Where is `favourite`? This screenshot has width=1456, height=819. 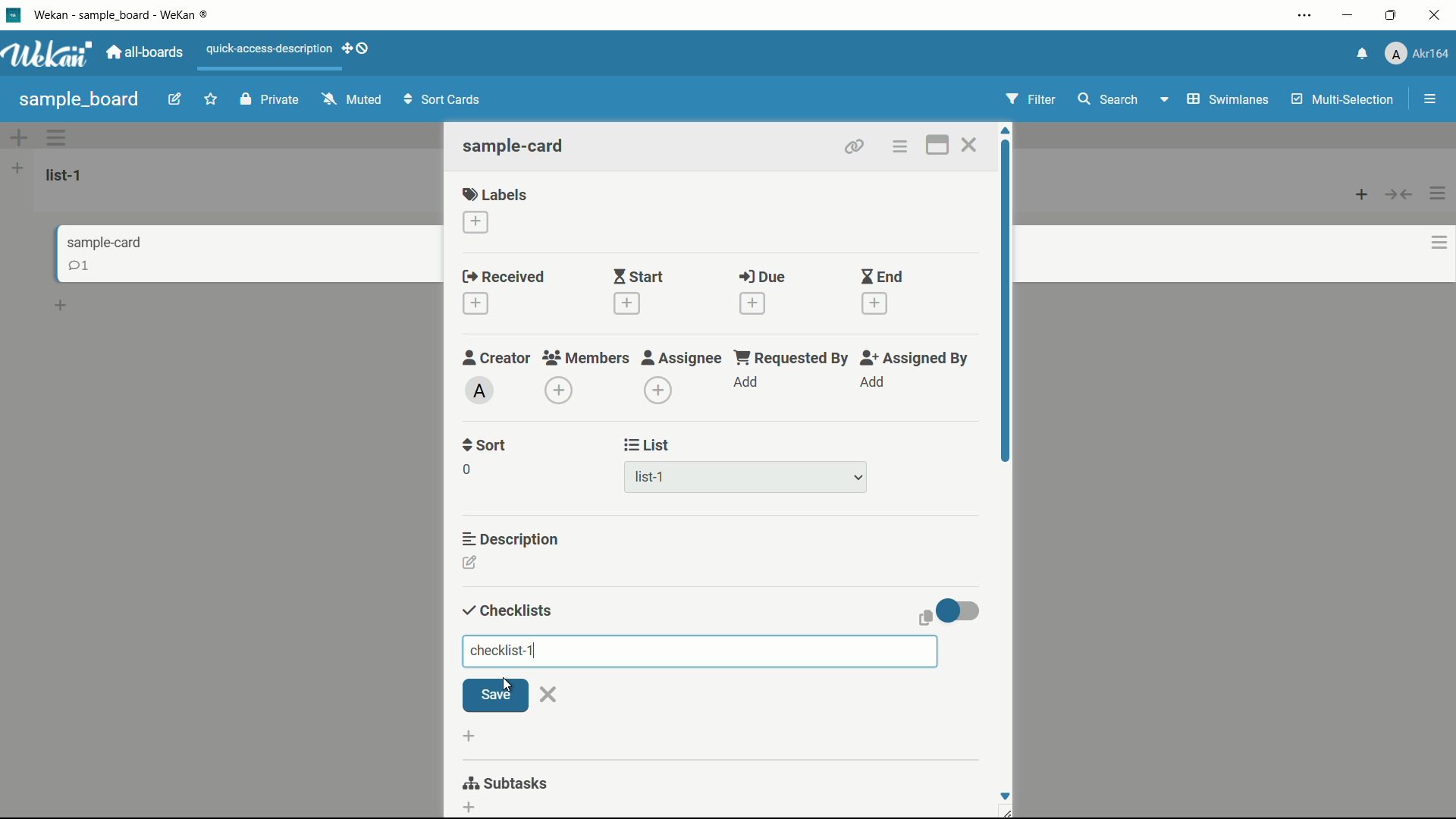
favourite is located at coordinates (211, 96).